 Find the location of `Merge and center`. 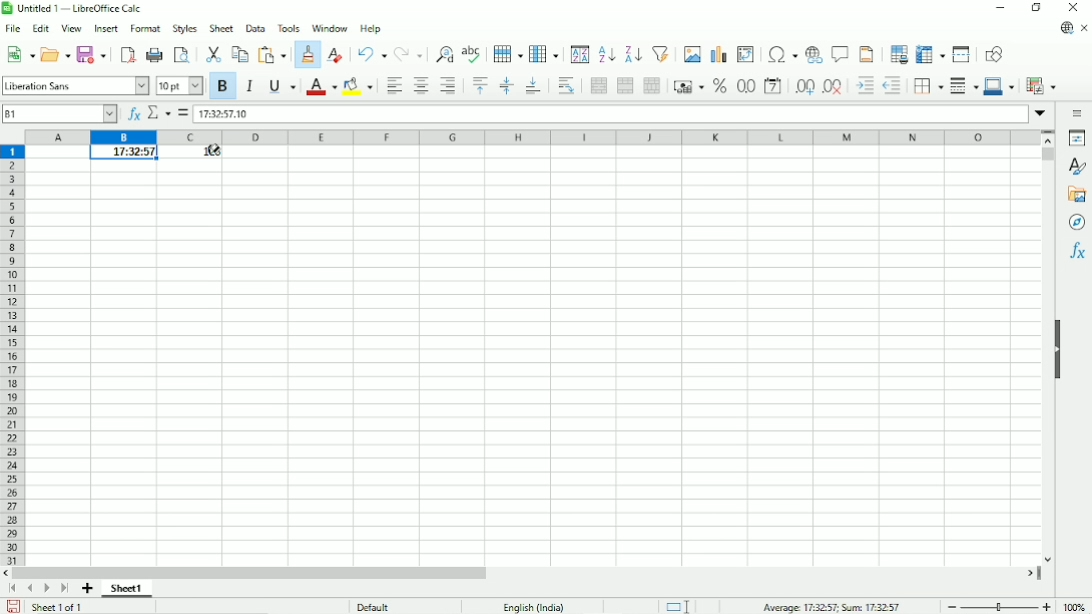

Merge and center is located at coordinates (596, 87).